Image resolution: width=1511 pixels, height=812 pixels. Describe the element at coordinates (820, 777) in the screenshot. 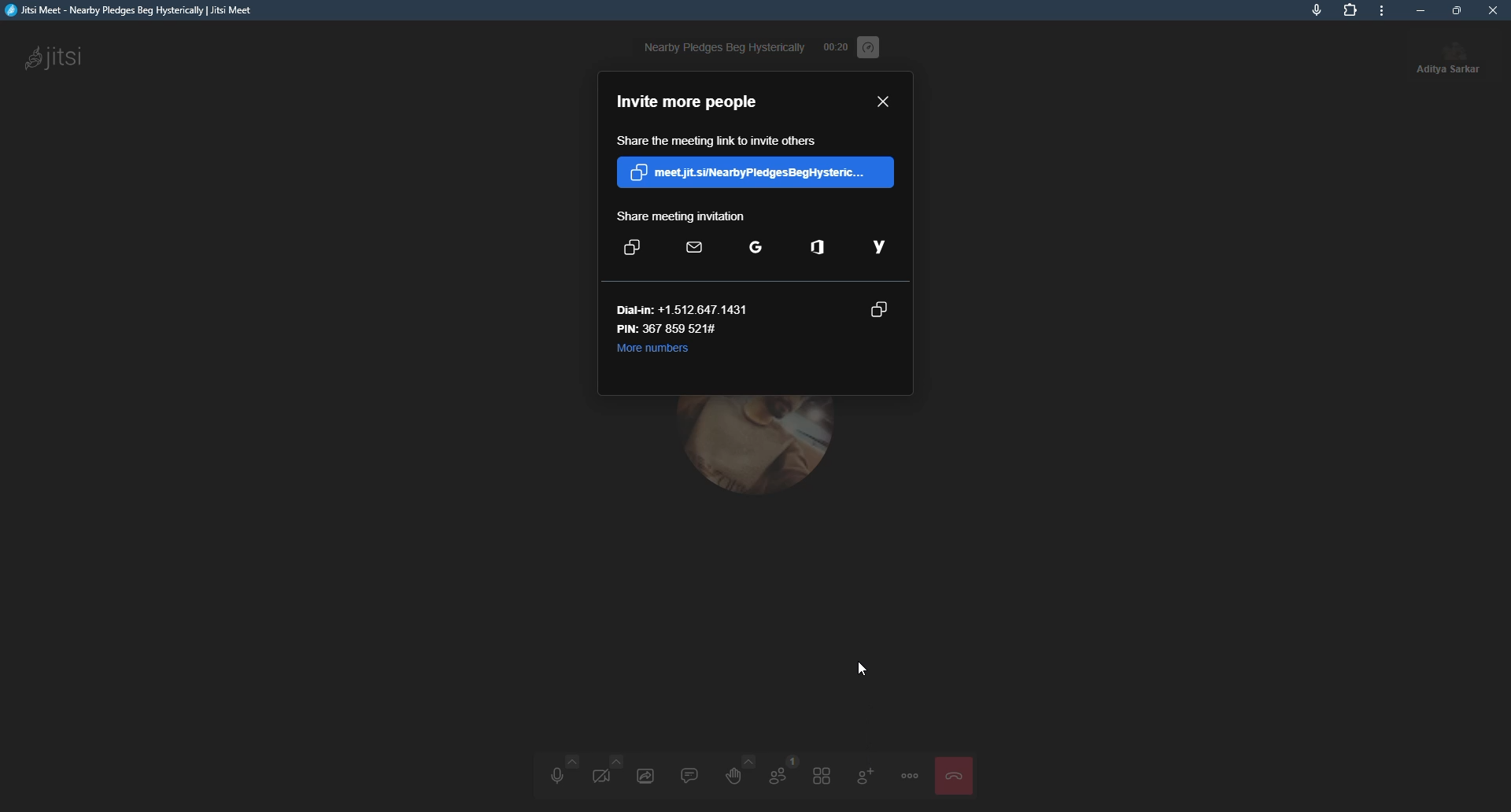

I see `toggle tile view` at that location.